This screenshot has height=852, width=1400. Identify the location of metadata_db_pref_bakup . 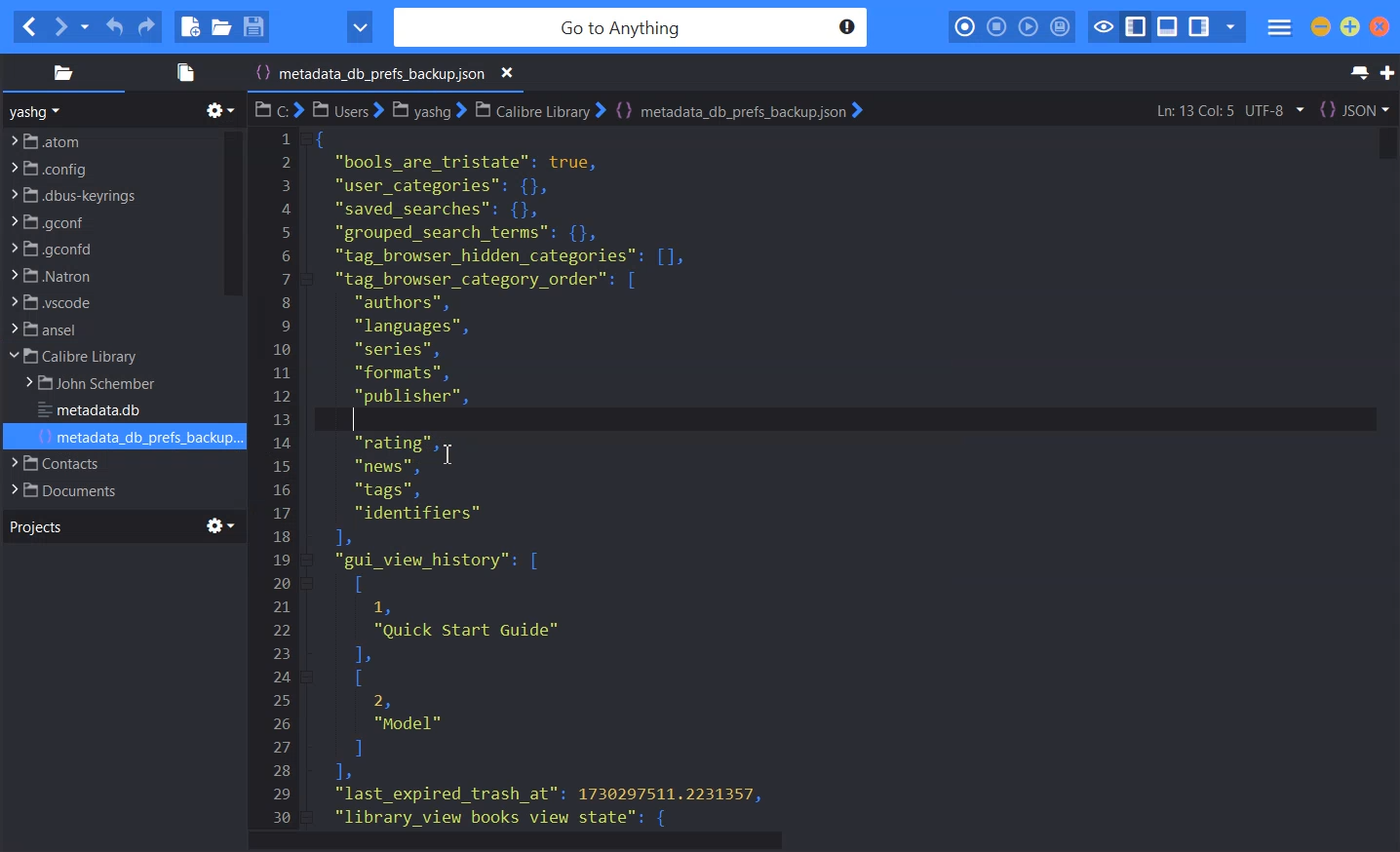
(567, 476).